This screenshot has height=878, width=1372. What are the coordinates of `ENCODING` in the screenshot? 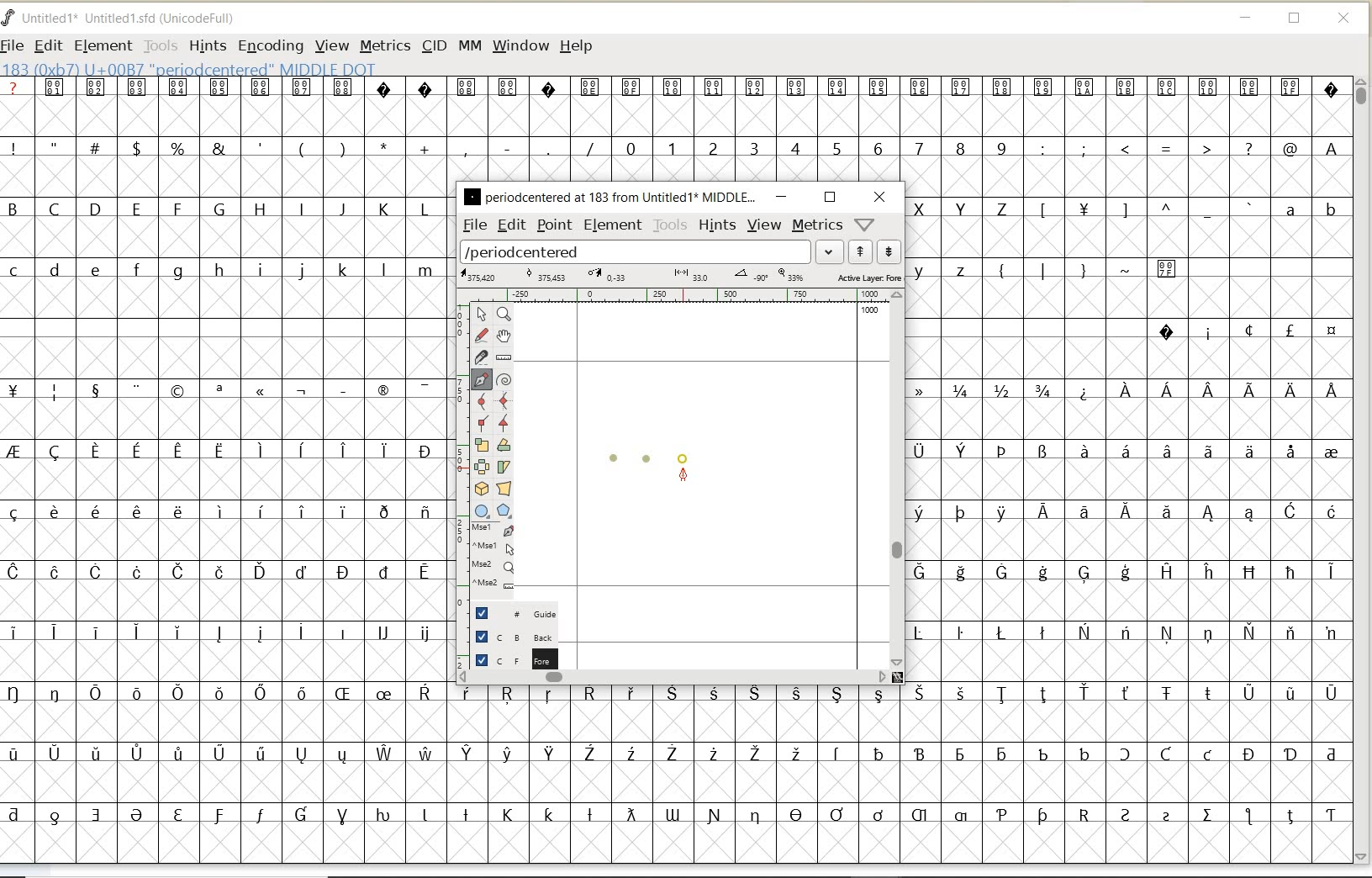 It's located at (271, 47).